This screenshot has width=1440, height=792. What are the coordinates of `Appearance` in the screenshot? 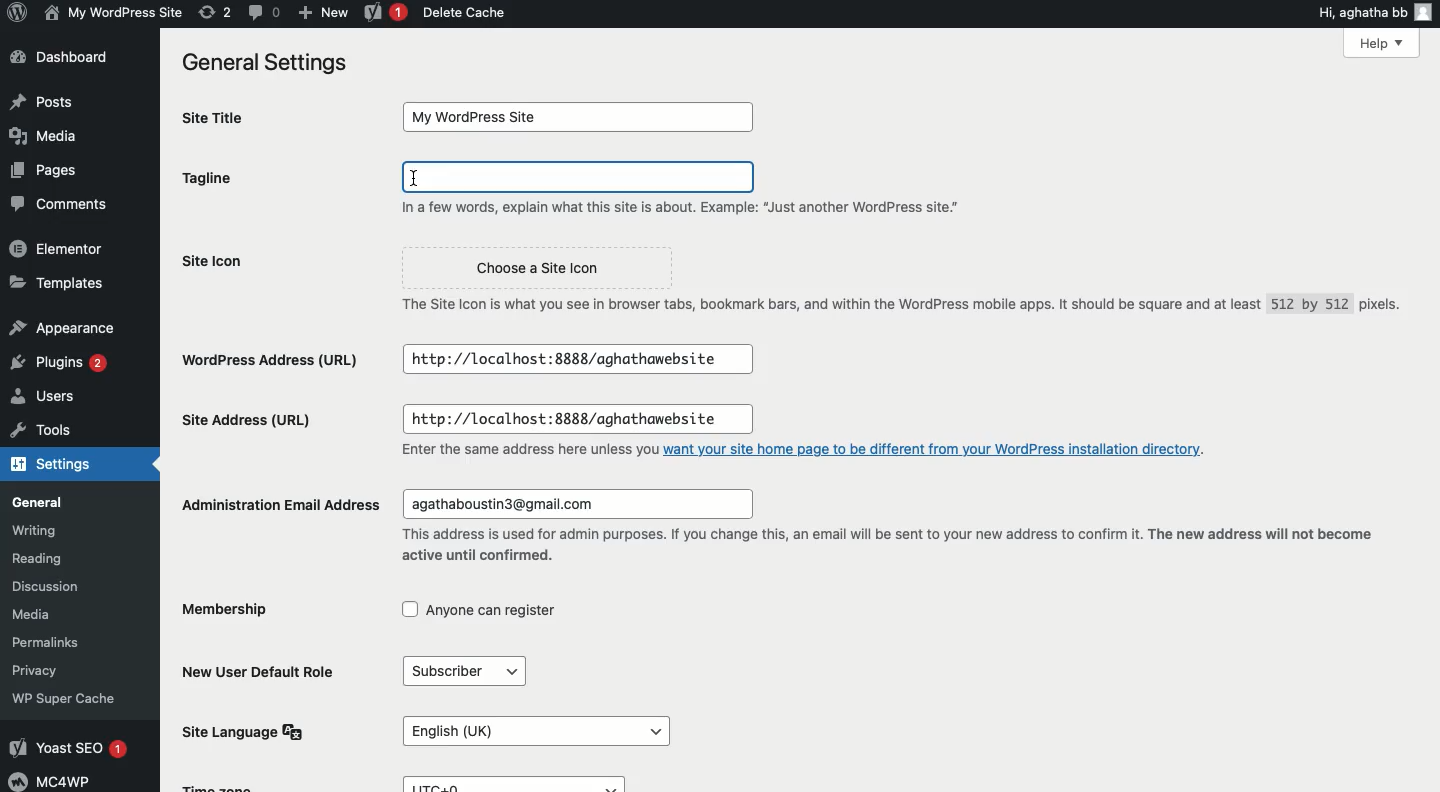 It's located at (62, 324).